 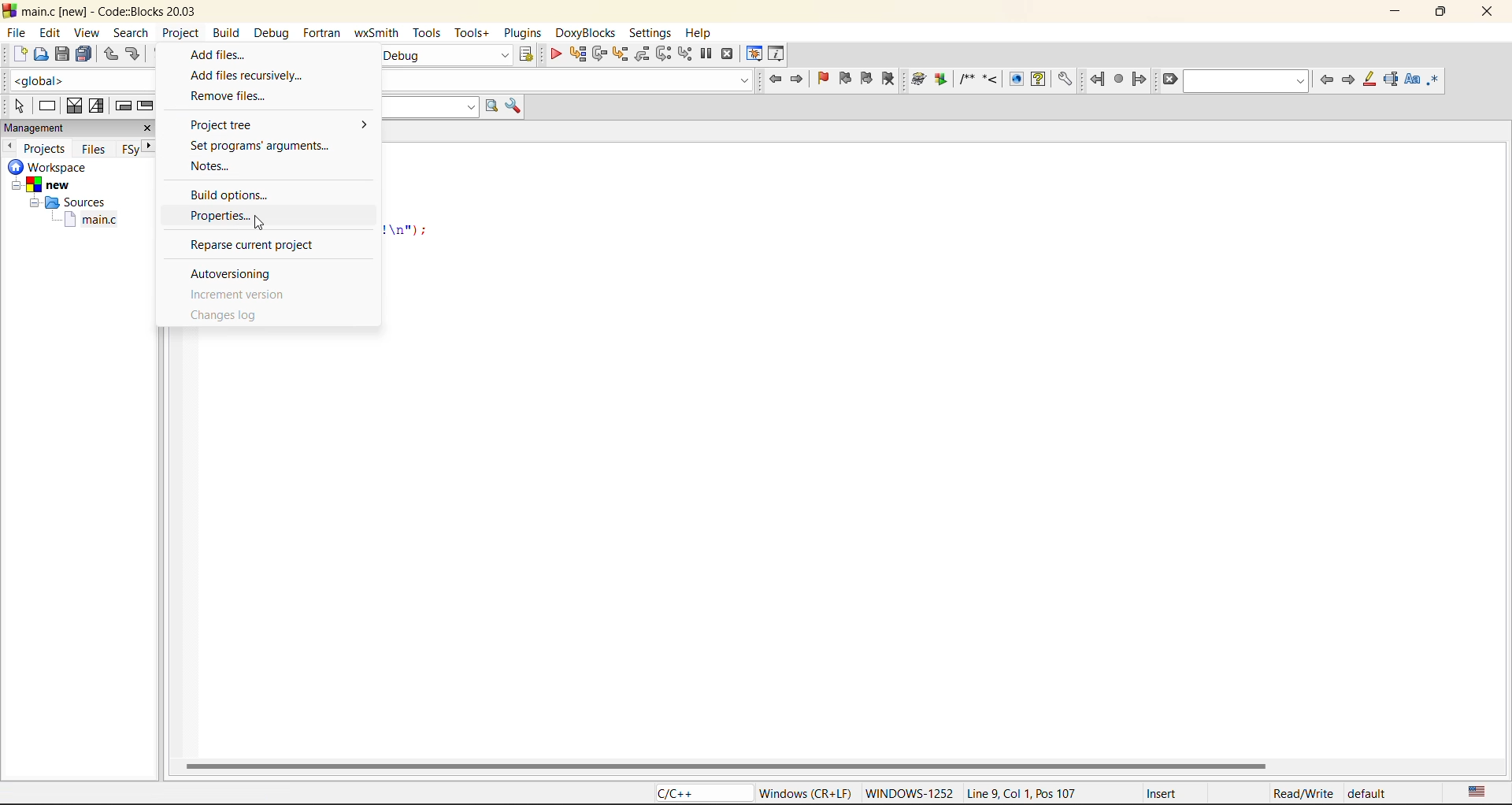 I want to click on Insert, so click(x=1161, y=793).